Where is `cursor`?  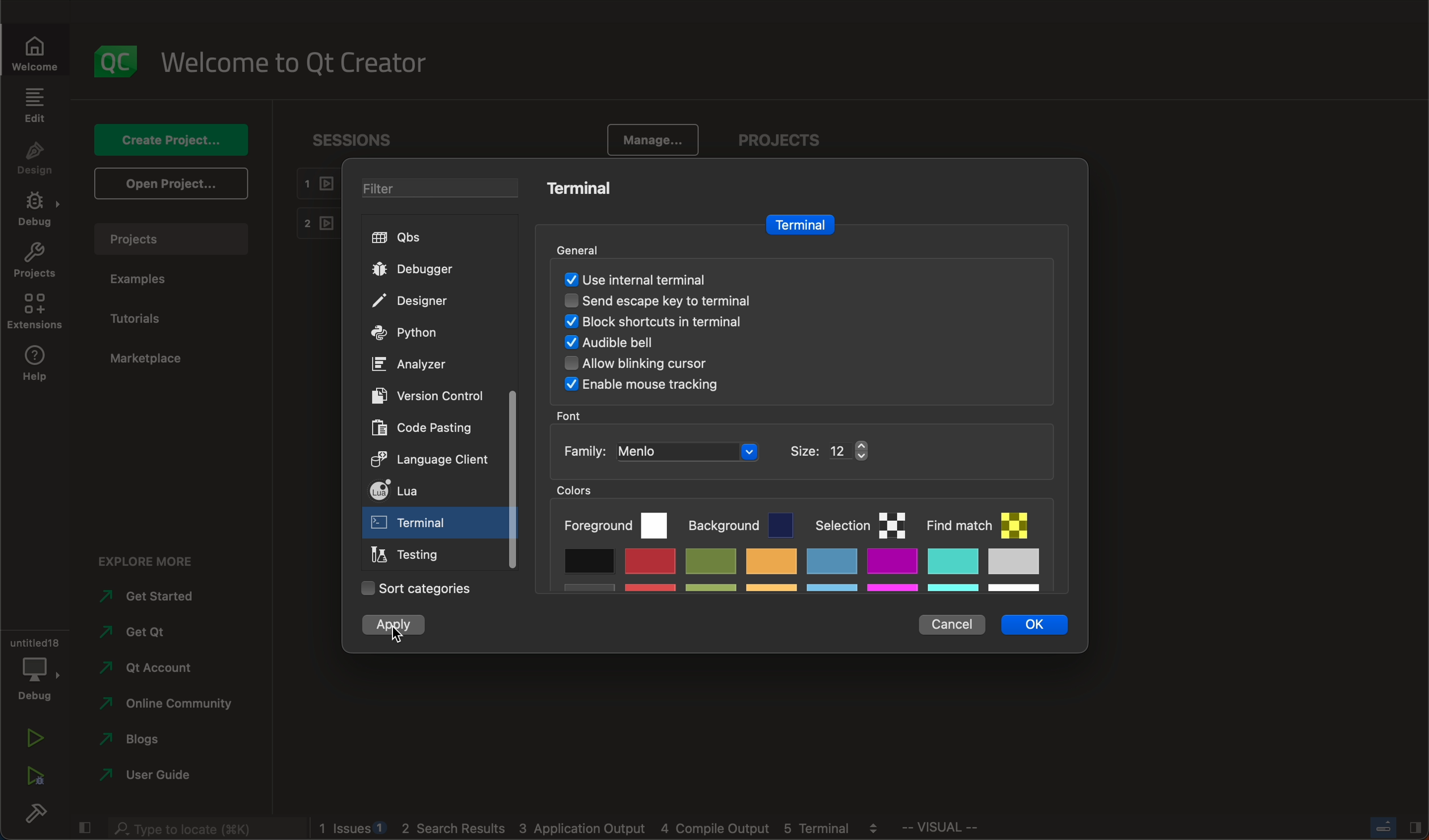
cursor is located at coordinates (398, 637).